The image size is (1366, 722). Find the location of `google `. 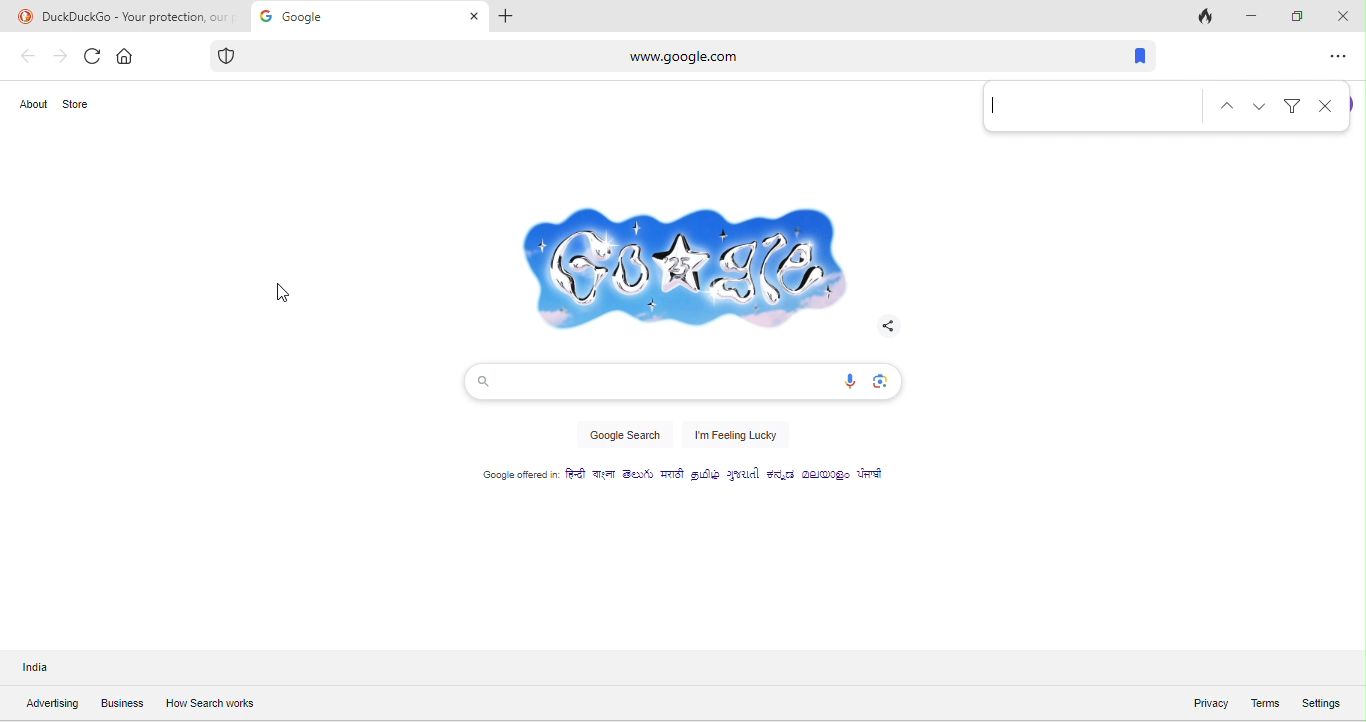

google  is located at coordinates (678, 261).